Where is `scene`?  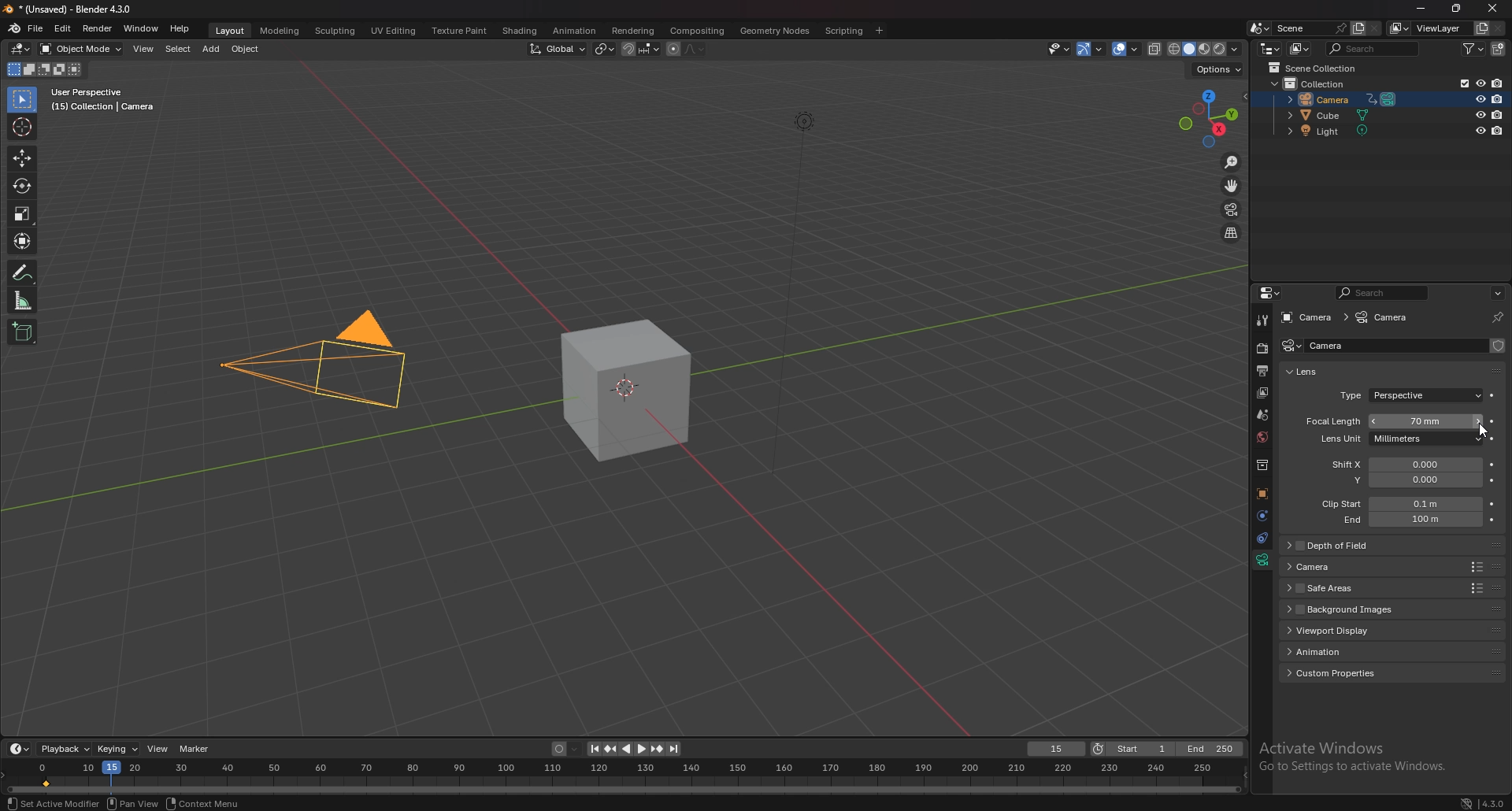
scene is located at coordinates (1308, 28).